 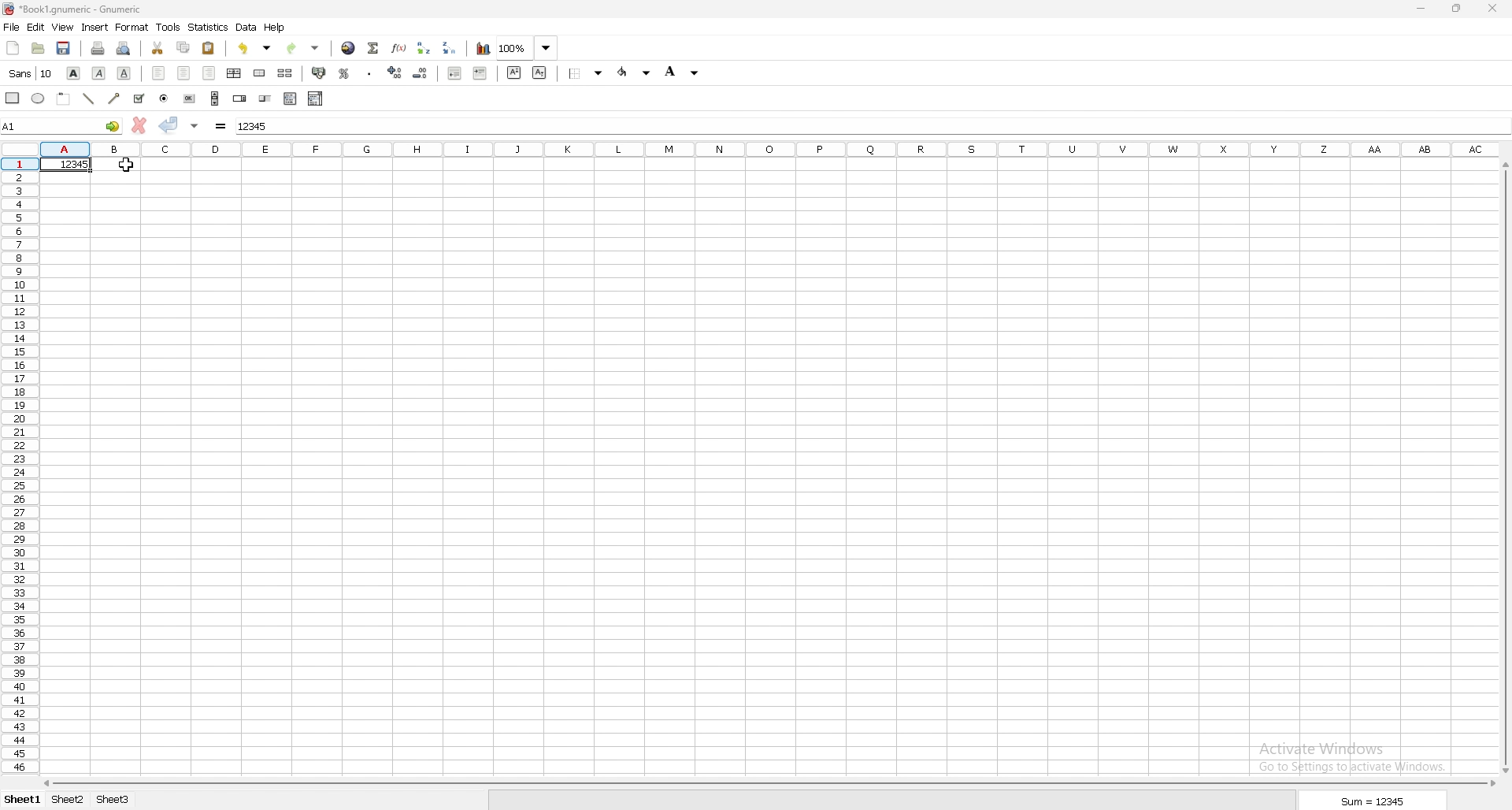 What do you see at coordinates (66, 801) in the screenshot?
I see `sheet 2` at bounding box center [66, 801].